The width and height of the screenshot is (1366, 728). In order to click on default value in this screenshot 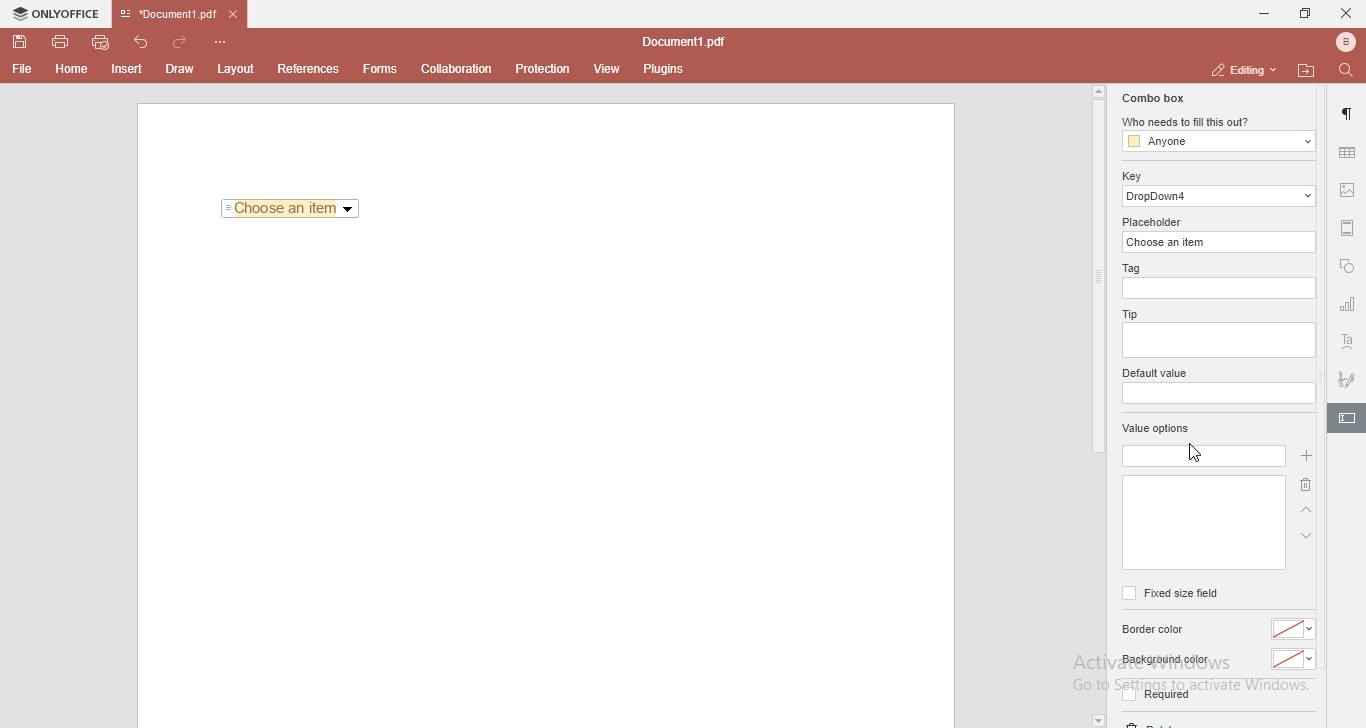, I will do `click(1157, 374)`.